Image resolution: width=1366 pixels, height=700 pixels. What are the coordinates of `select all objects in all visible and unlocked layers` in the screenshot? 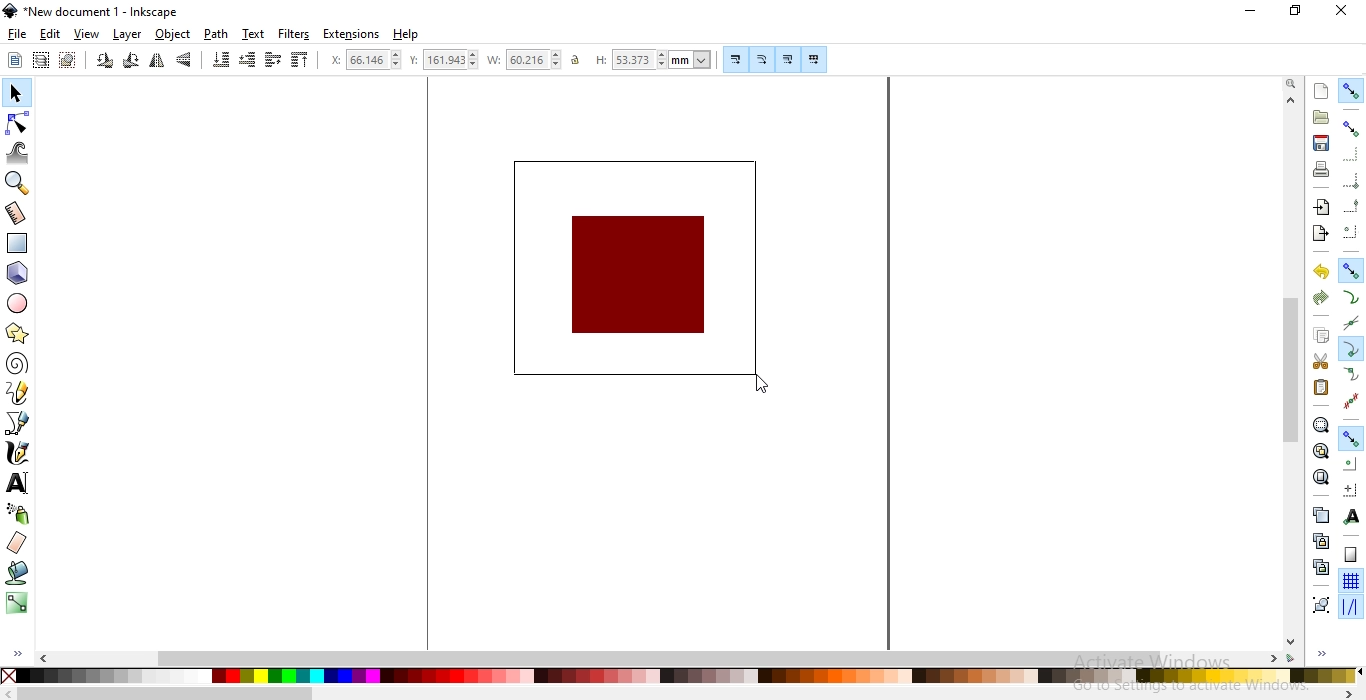 It's located at (40, 62).